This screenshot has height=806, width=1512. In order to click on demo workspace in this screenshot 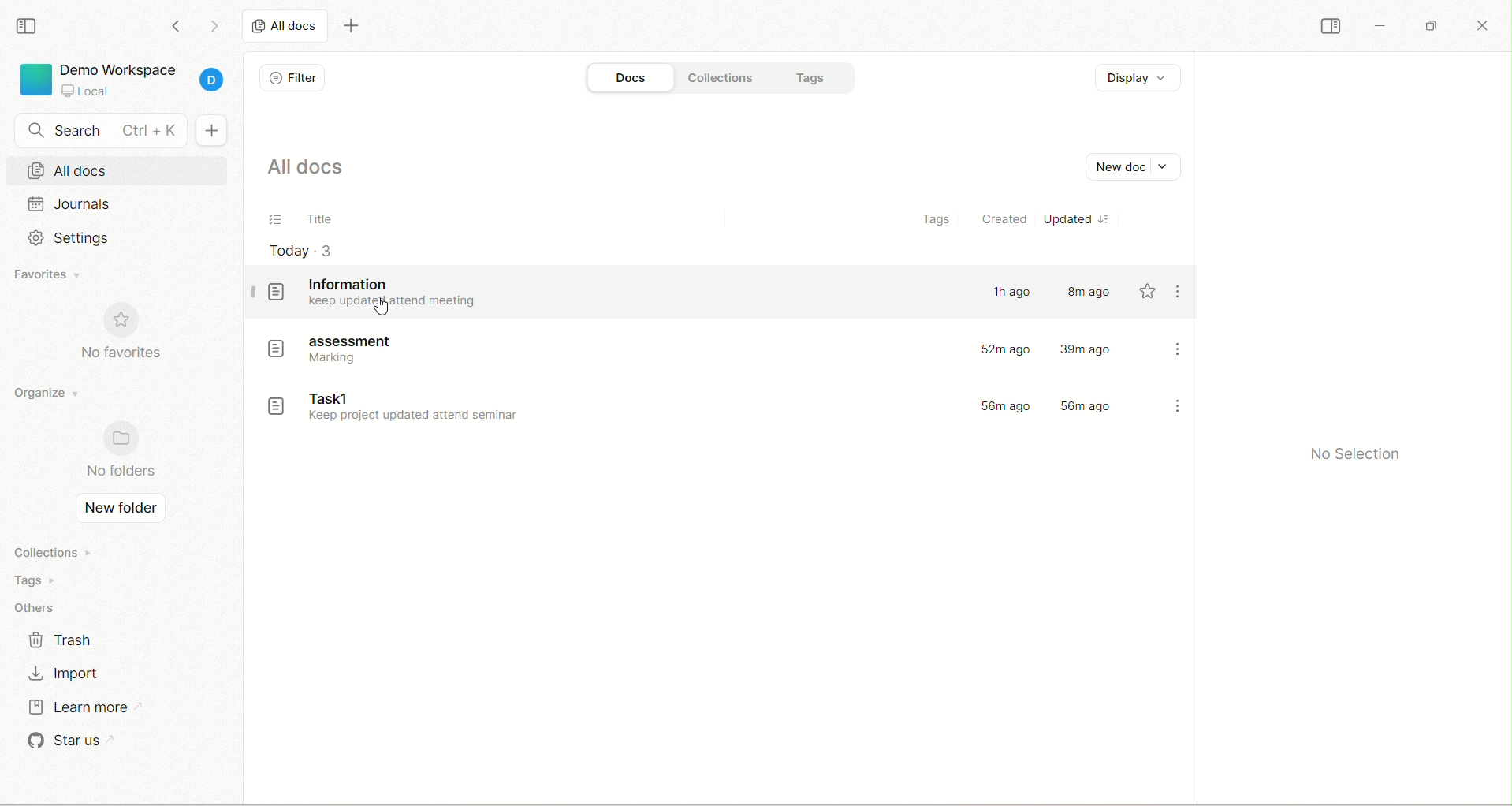, I will do `click(117, 67)`.